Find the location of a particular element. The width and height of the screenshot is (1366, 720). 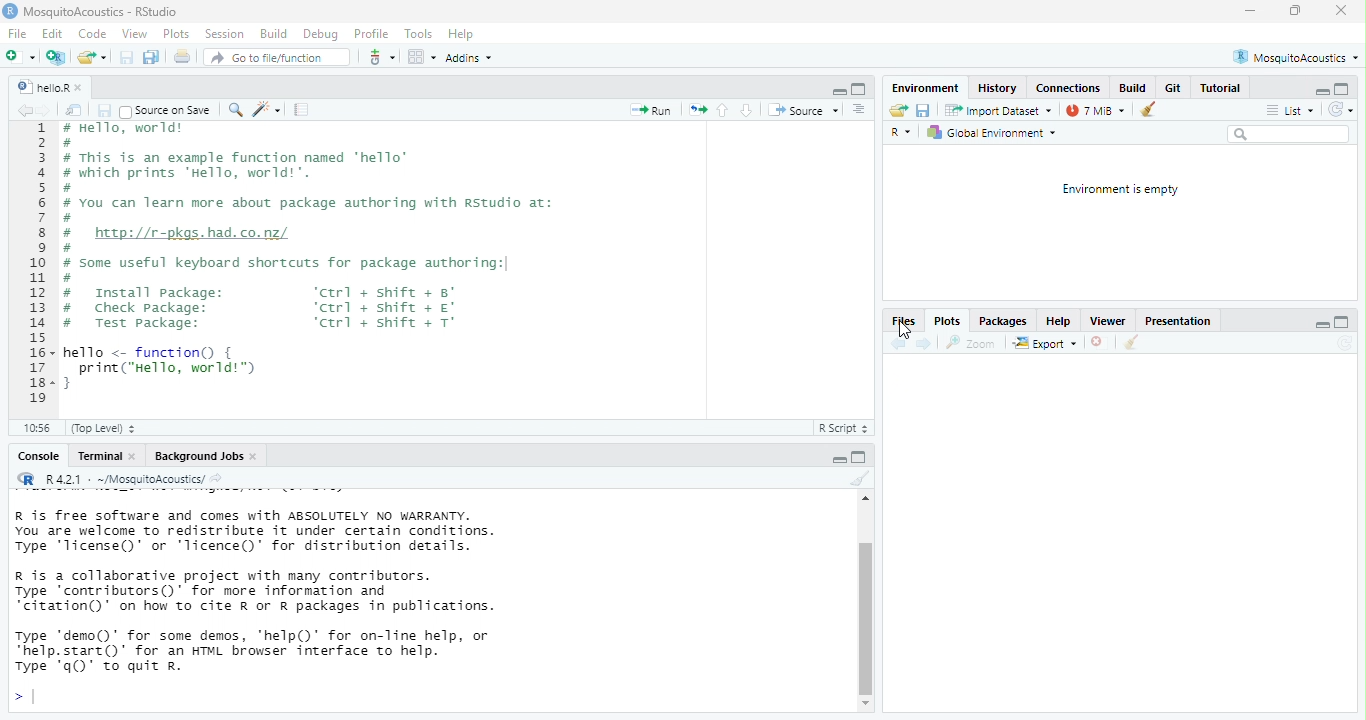

(Top Level)  is located at coordinates (111, 429).